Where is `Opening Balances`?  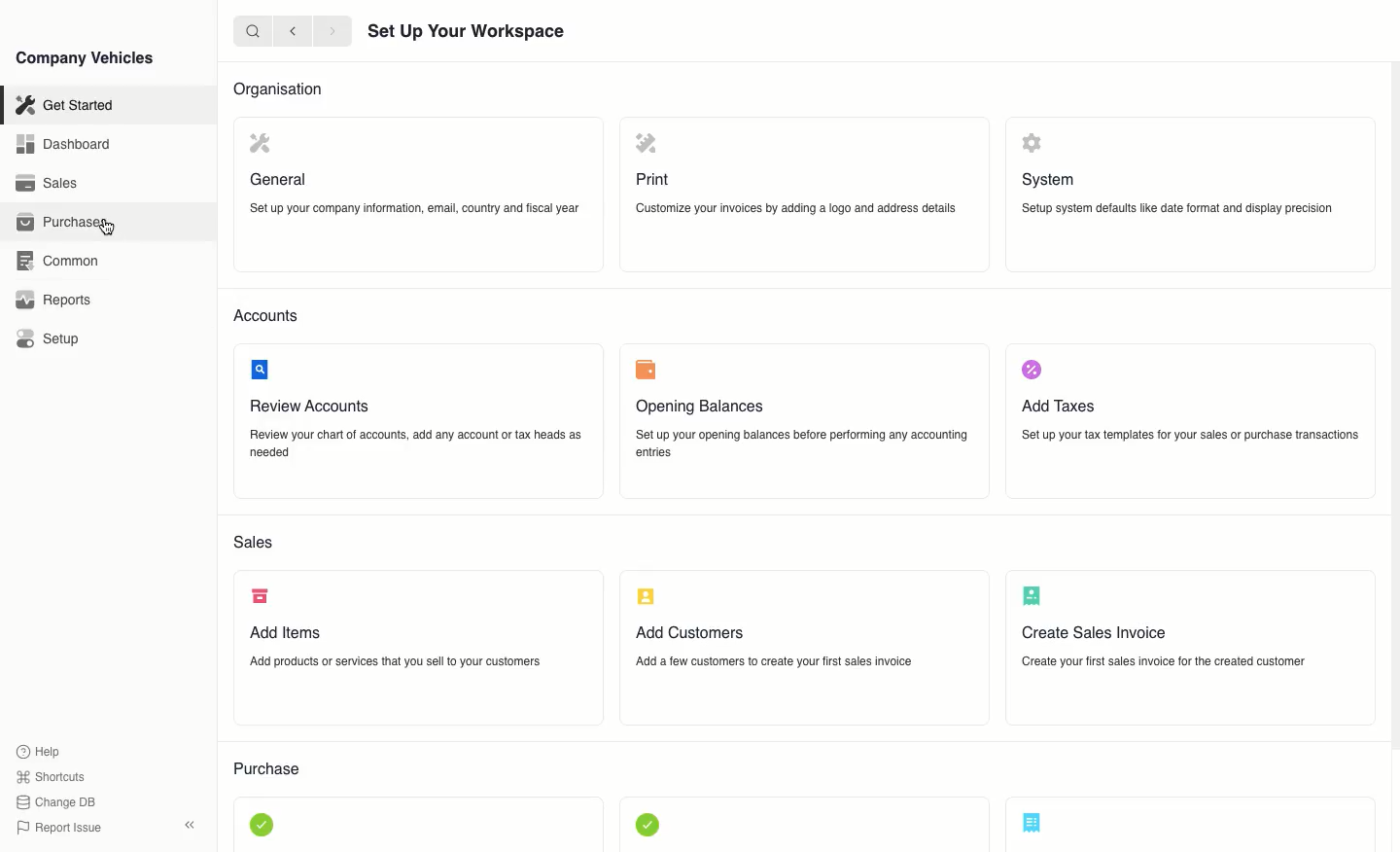
Opening Balances is located at coordinates (698, 408).